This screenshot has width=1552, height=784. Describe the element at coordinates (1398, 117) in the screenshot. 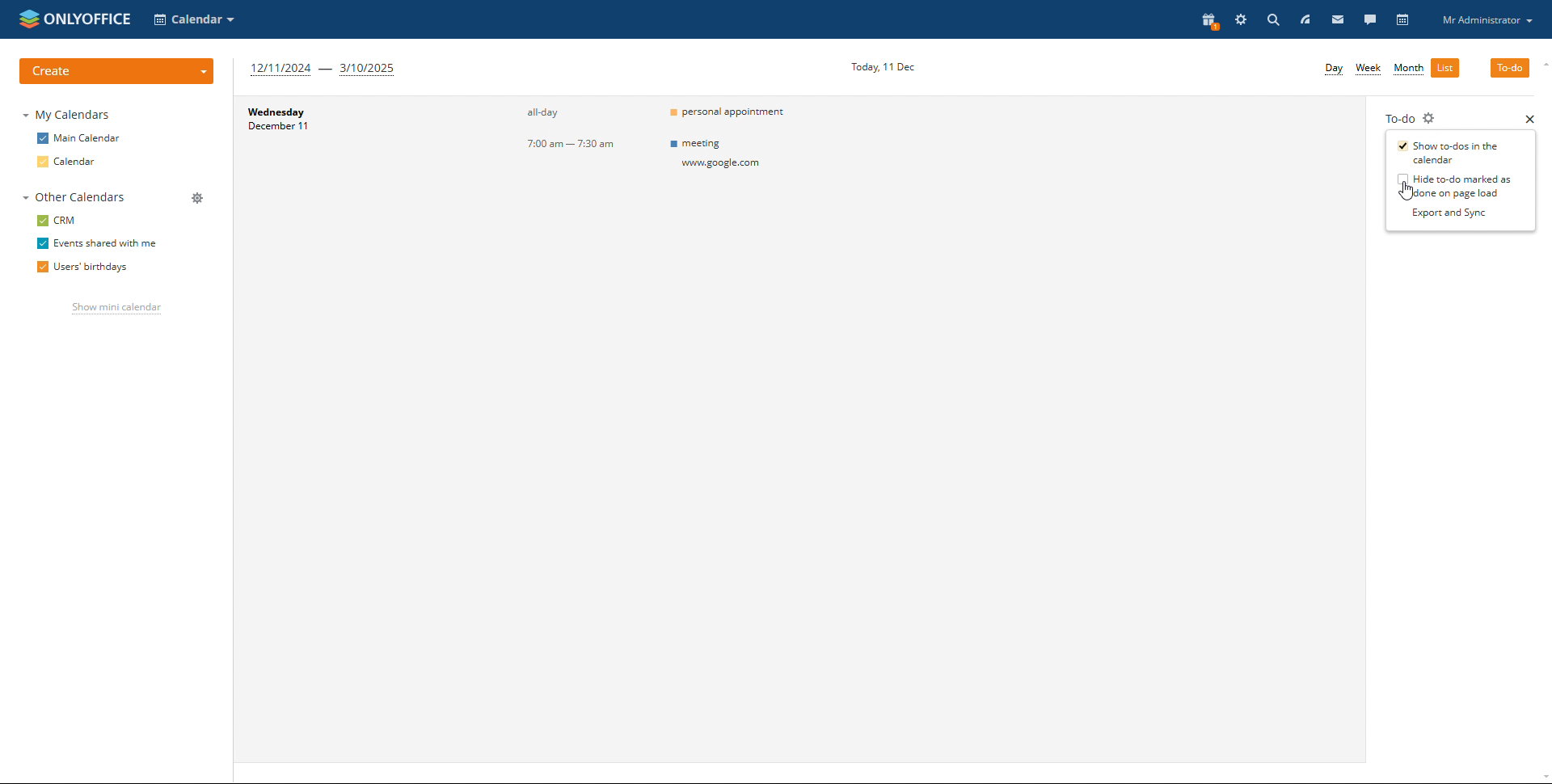

I see `to-do` at that location.